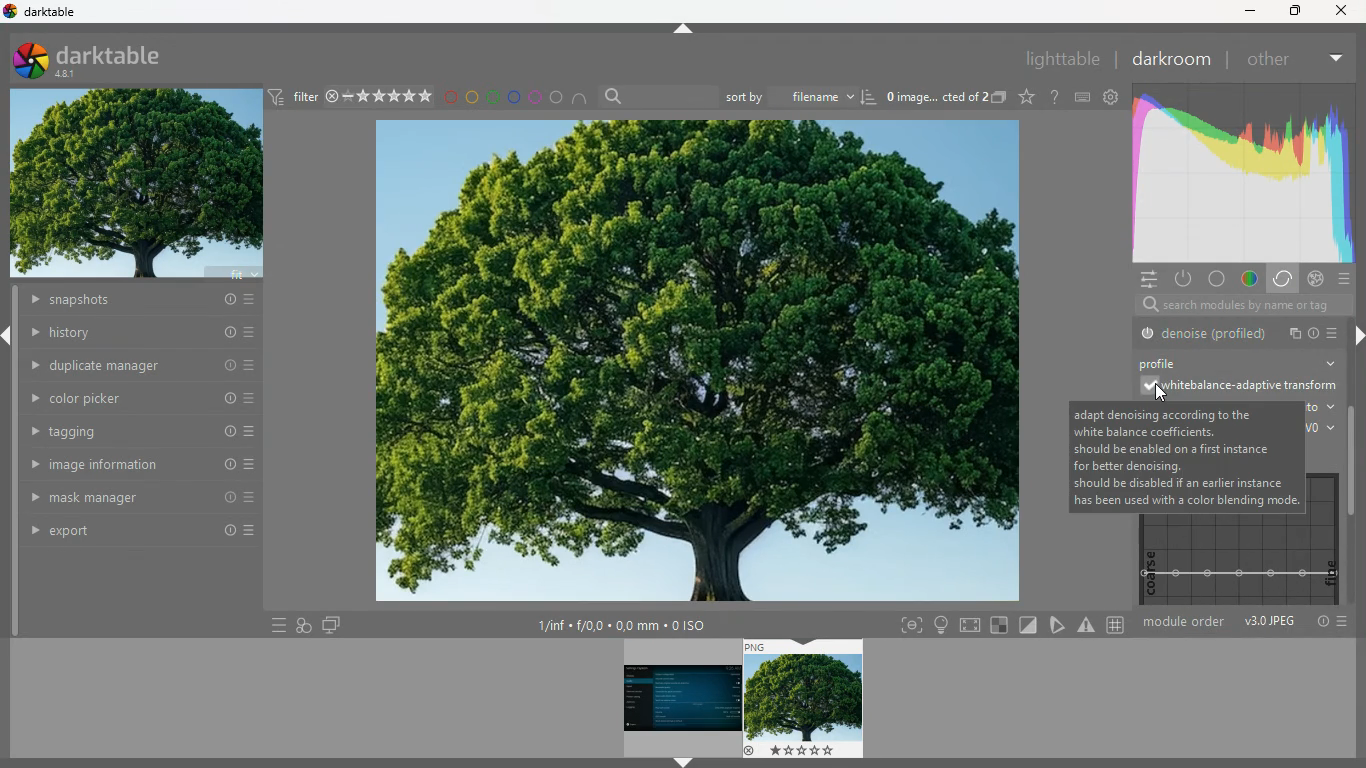  I want to click on settings, so click(1147, 279).